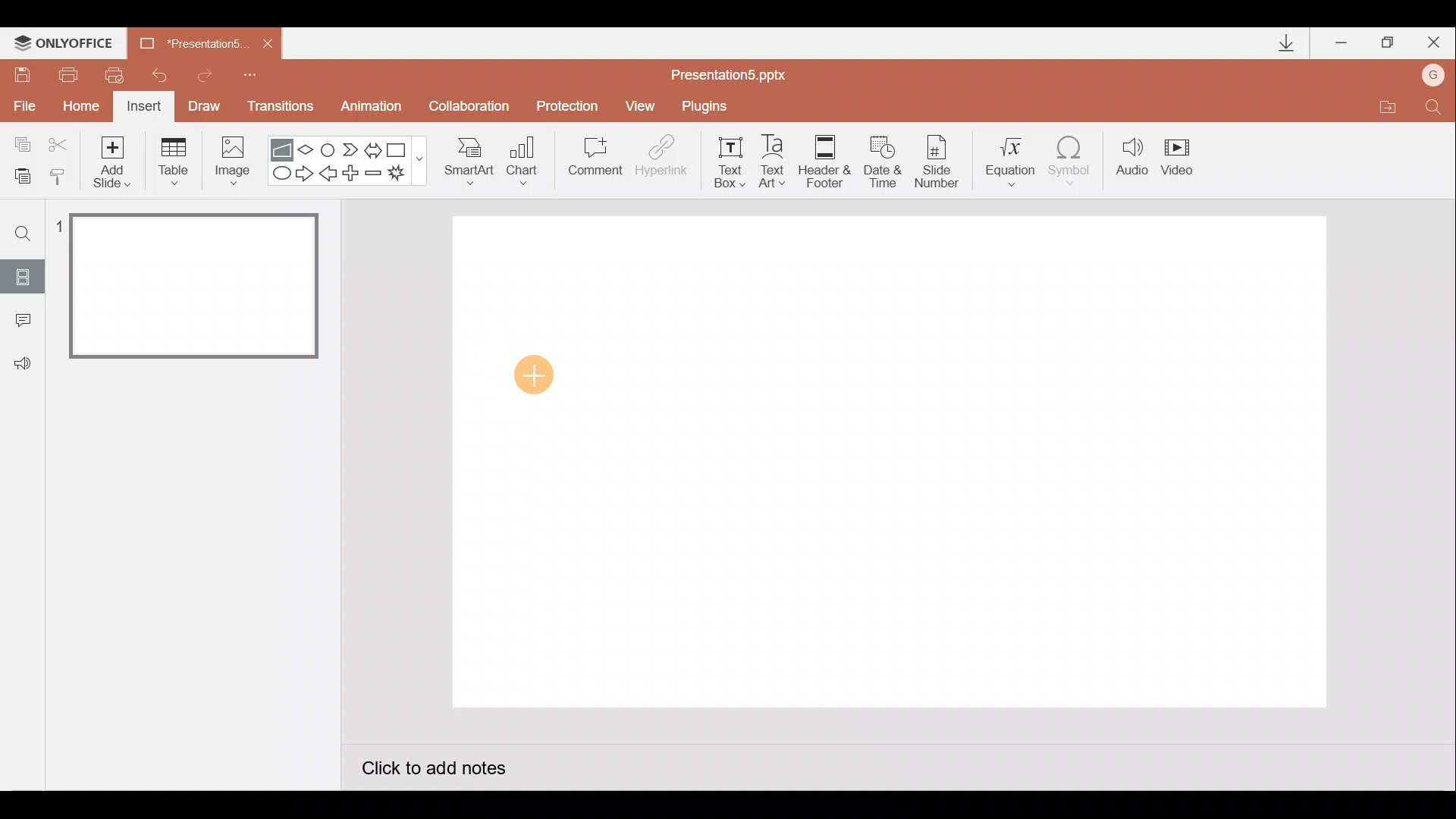  What do you see at coordinates (891, 462) in the screenshot?
I see `Presentation slide` at bounding box center [891, 462].